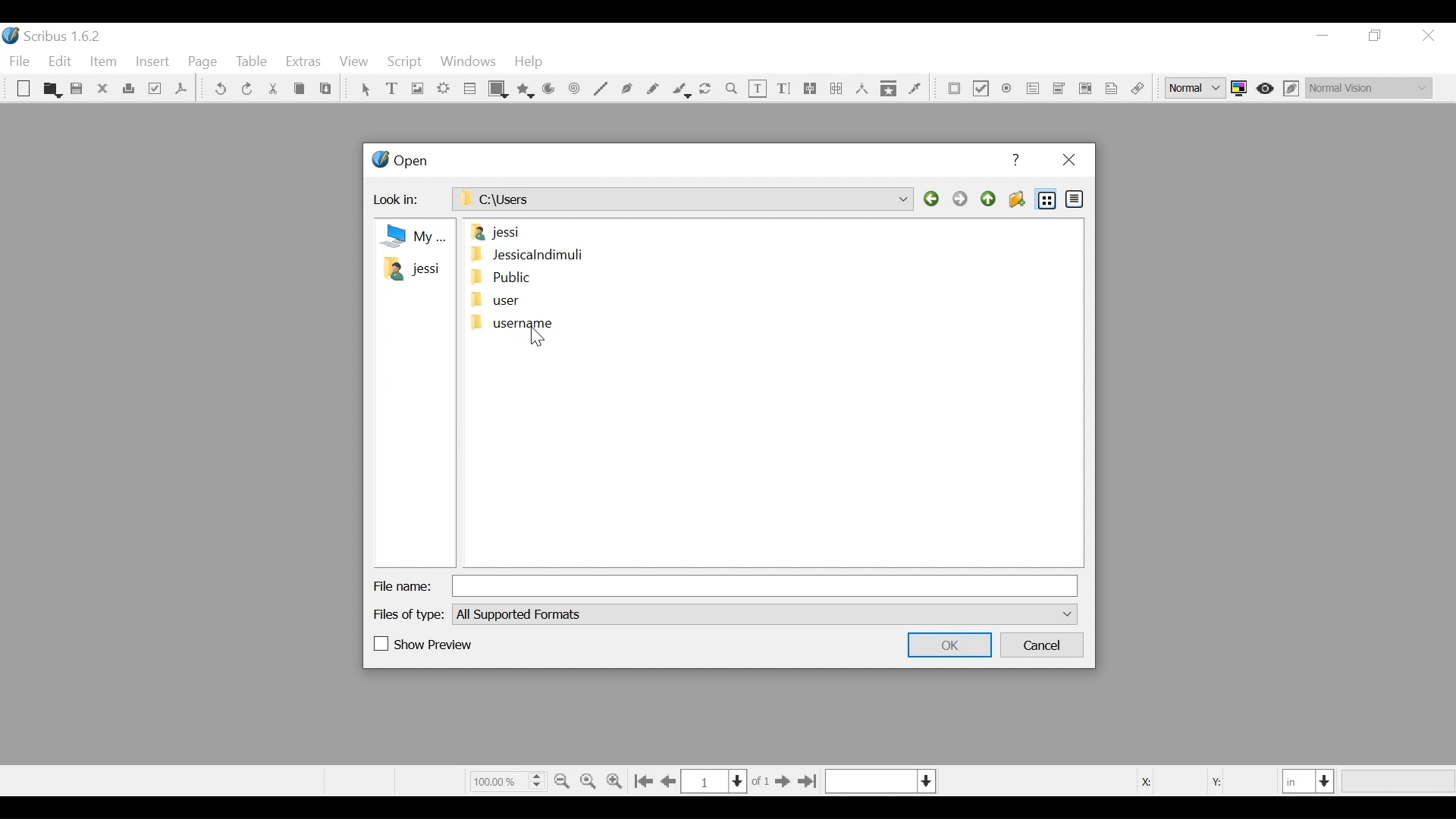 The height and width of the screenshot is (819, 1456). What do you see at coordinates (1135, 89) in the screenshot?
I see `Link Annotations` at bounding box center [1135, 89].